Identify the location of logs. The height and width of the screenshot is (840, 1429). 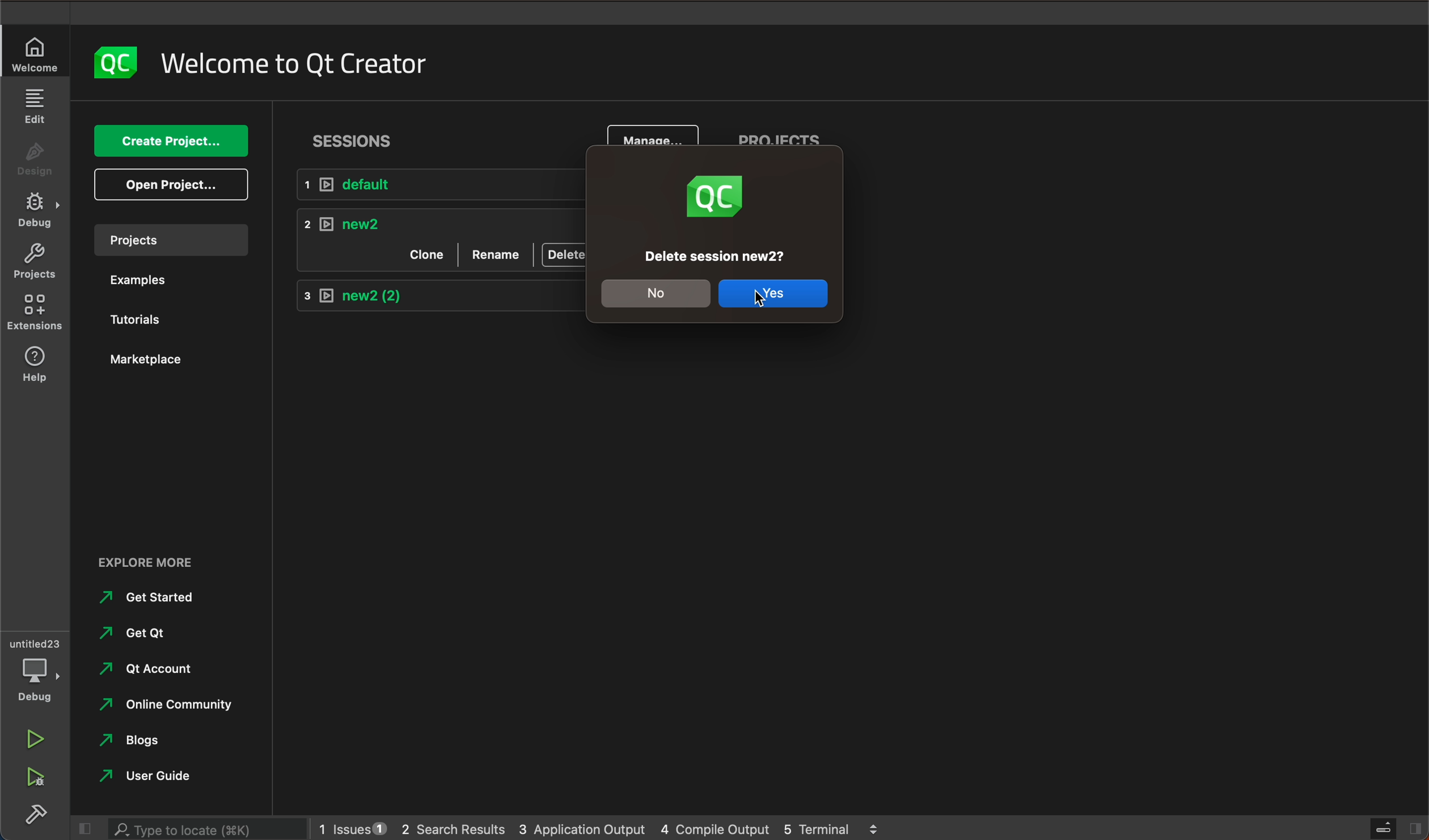
(602, 828).